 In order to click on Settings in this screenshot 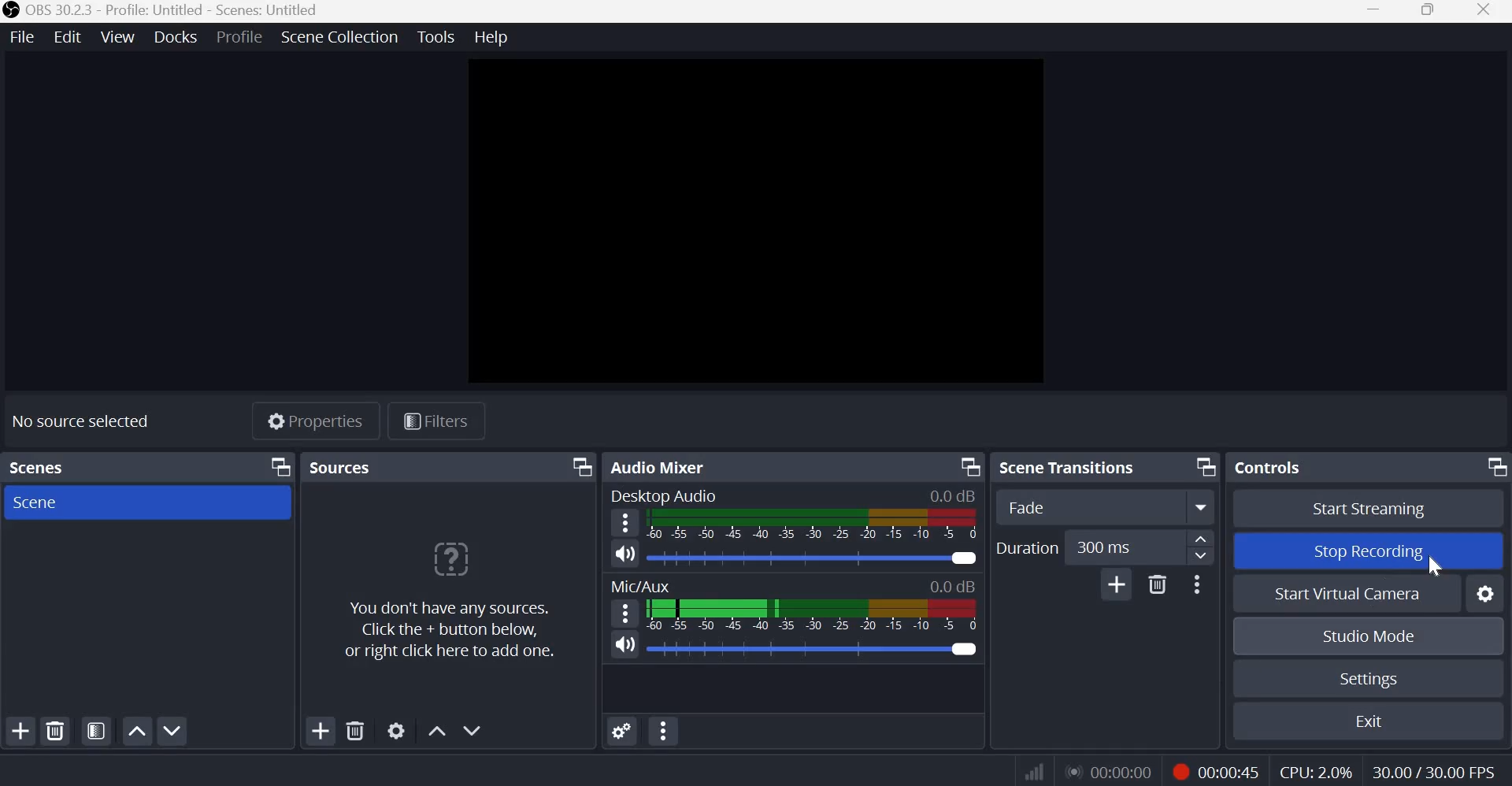, I will do `click(1369, 680)`.